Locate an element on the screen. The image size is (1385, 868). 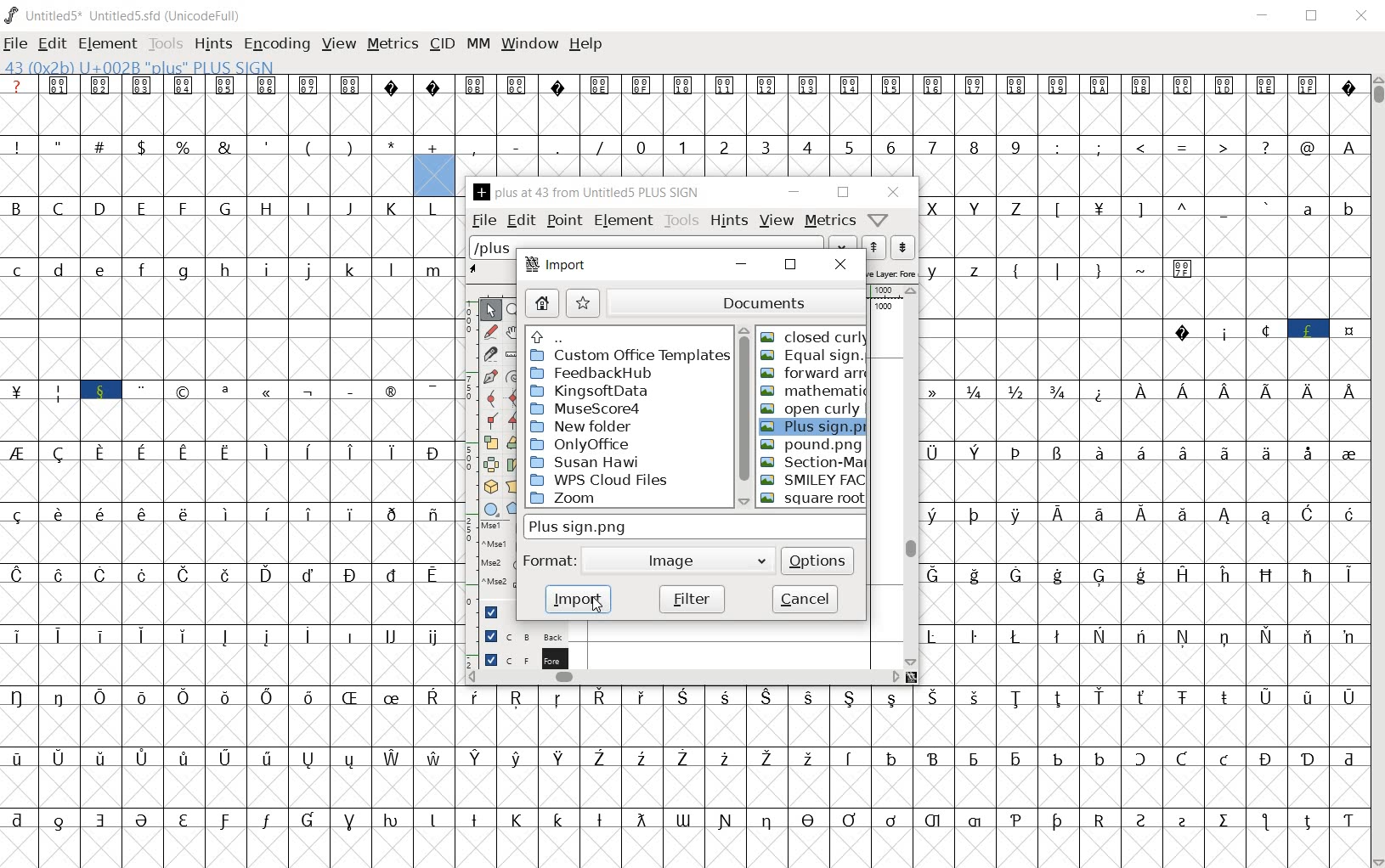
Guide is located at coordinates (492, 612).